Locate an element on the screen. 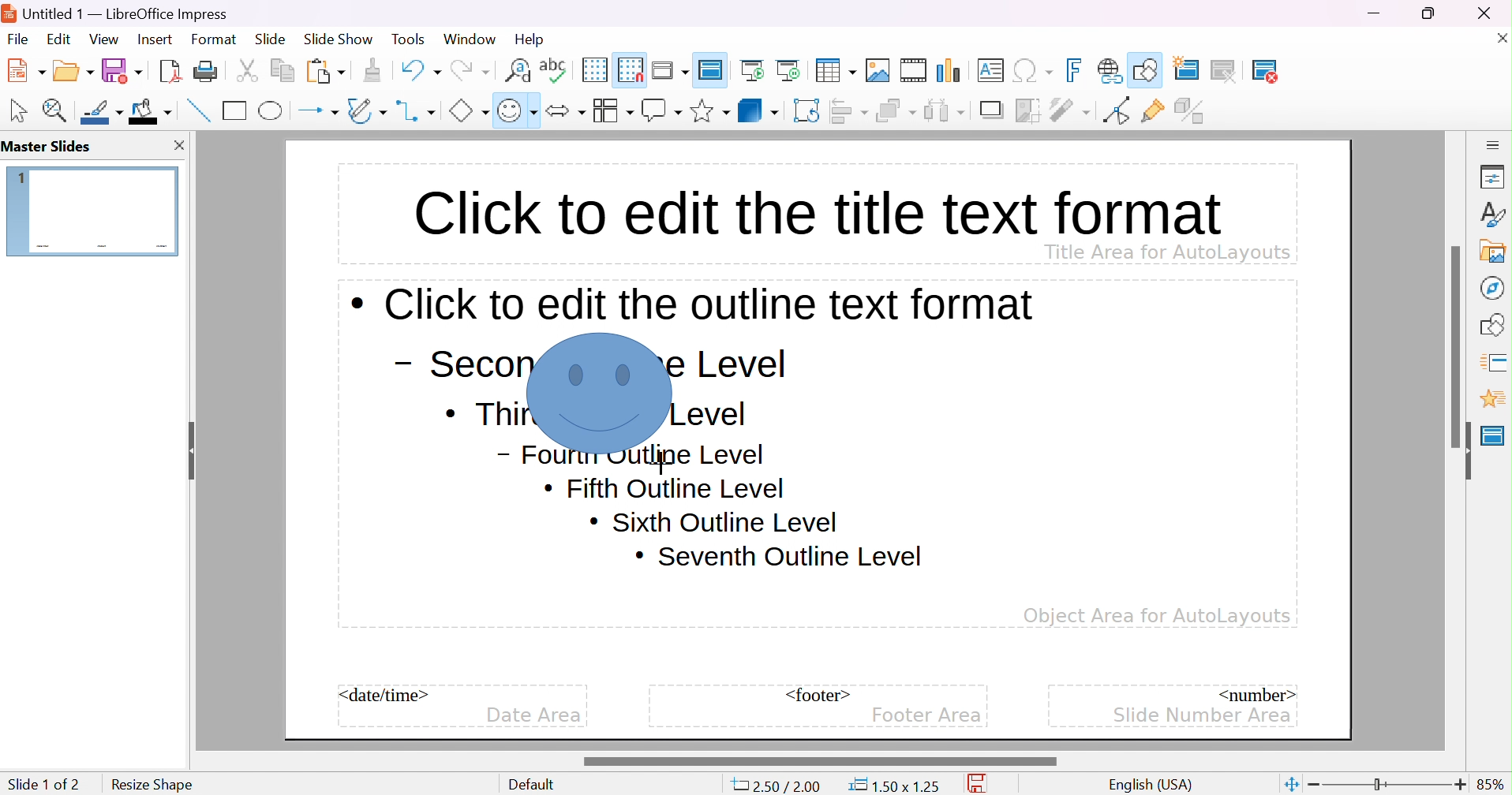 The height and width of the screenshot is (795, 1512). tools is located at coordinates (410, 39).